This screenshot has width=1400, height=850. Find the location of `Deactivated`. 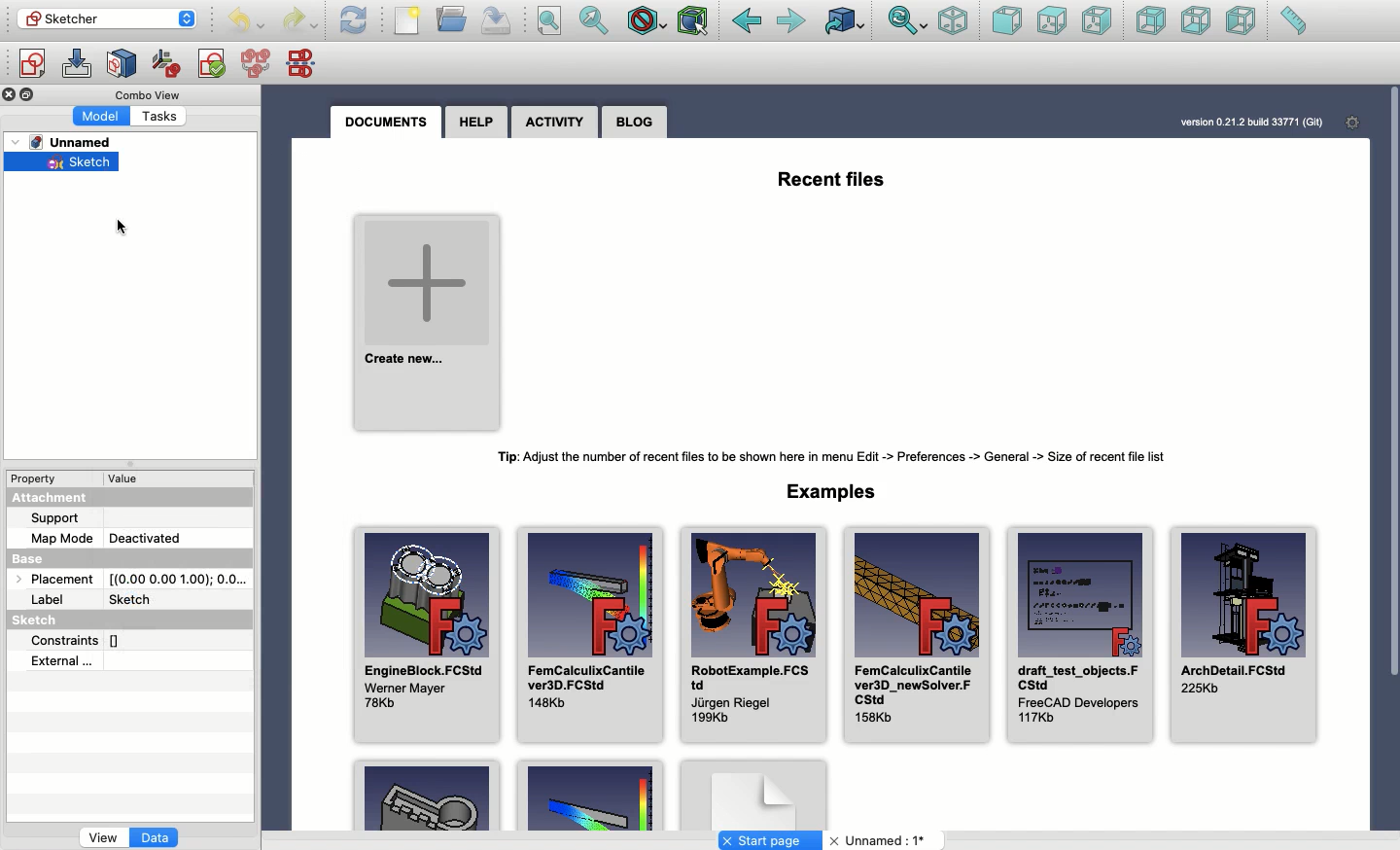

Deactivated is located at coordinates (145, 535).